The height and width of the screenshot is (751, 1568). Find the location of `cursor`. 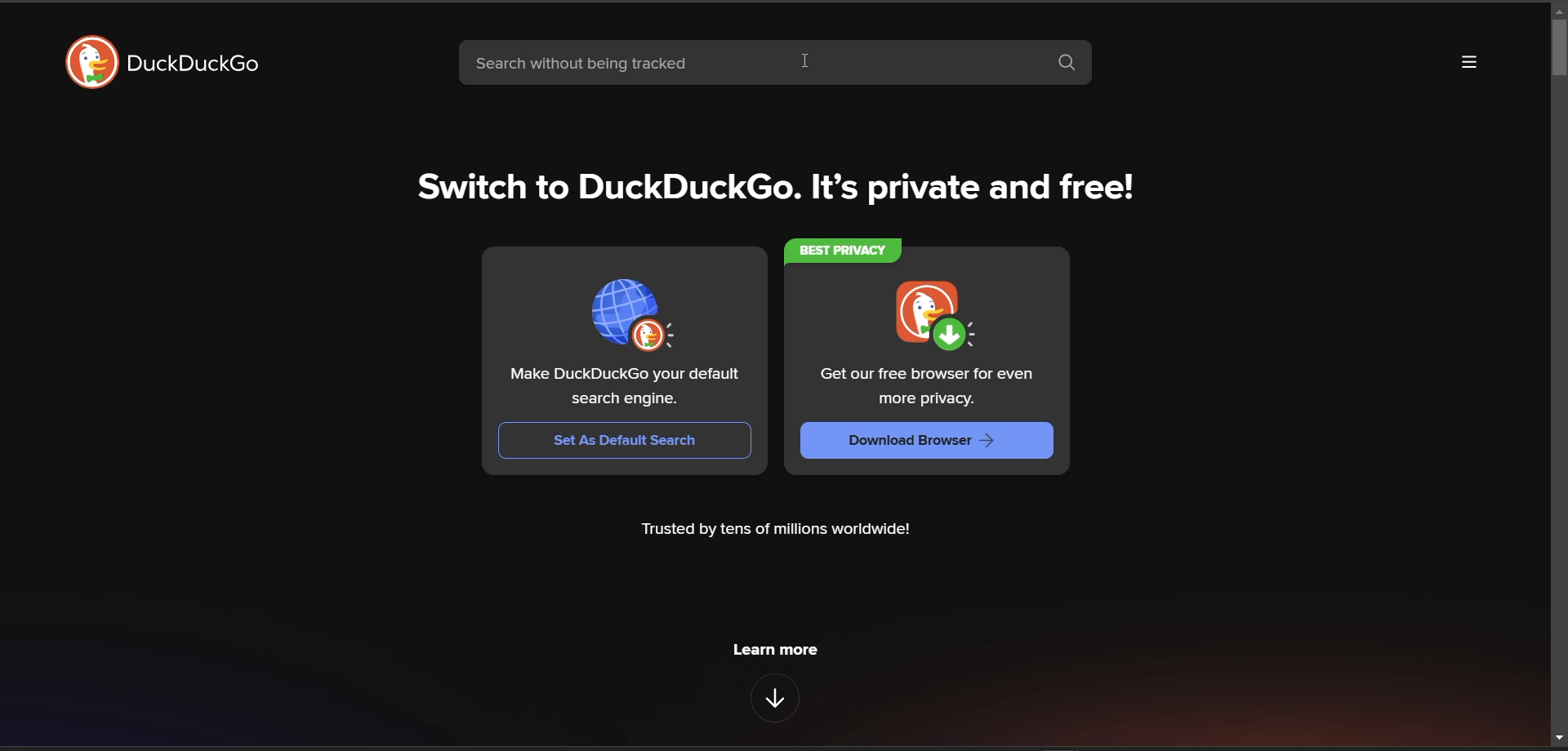

cursor is located at coordinates (807, 62).